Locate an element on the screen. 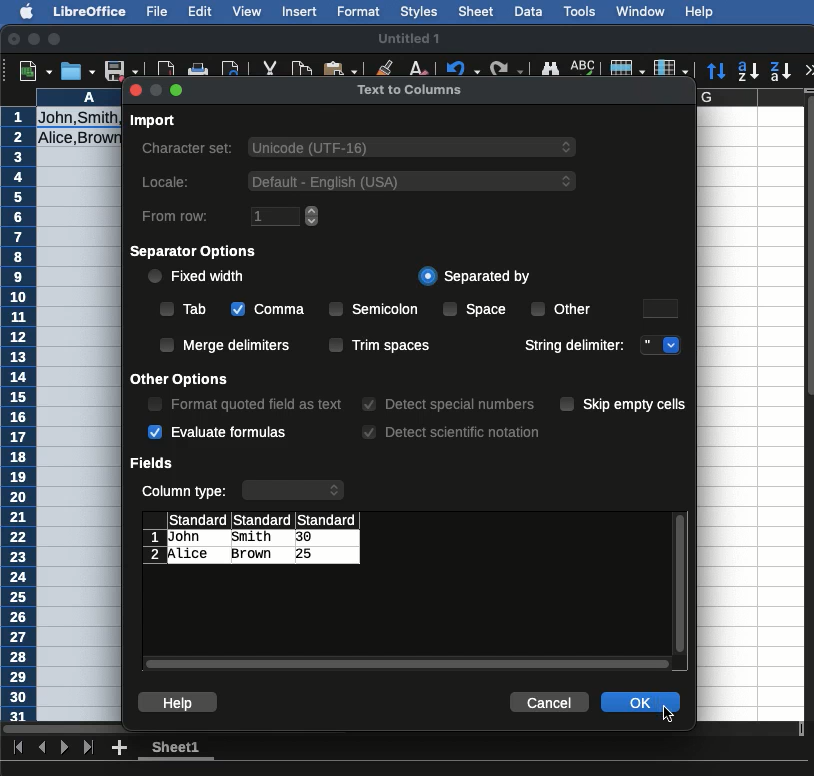  Cut is located at coordinates (271, 69).